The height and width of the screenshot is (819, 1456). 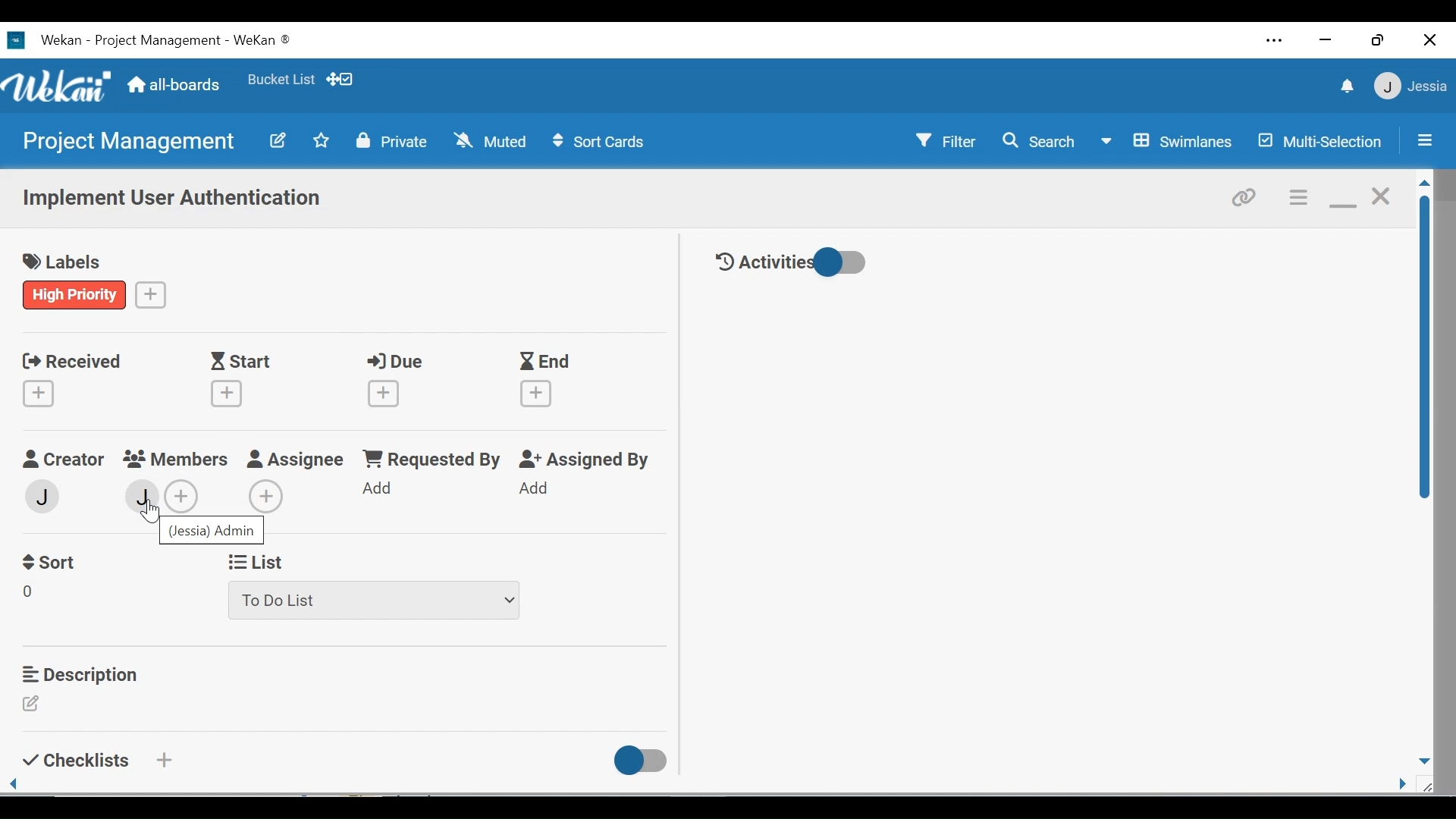 What do you see at coordinates (381, 490) in the screenshot?
I see `add` at bounding box center [381, 490].